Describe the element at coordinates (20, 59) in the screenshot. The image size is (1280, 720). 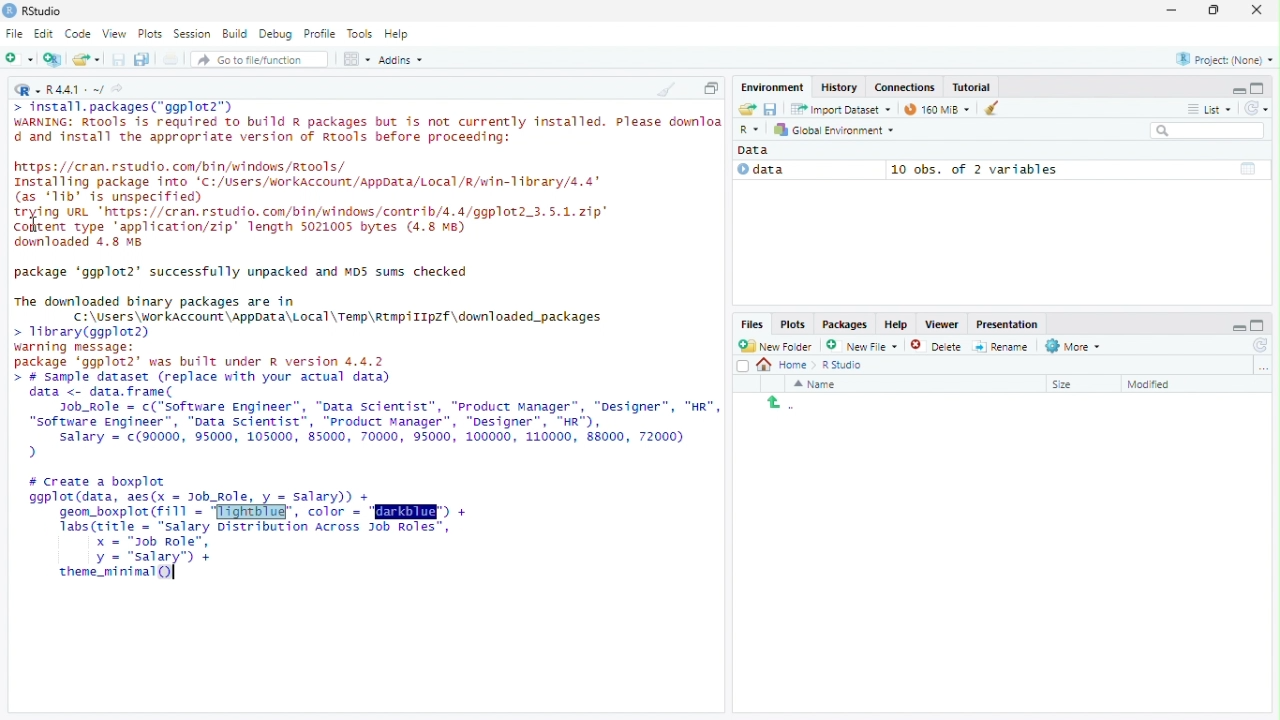
I see `Create a new file` at that location.